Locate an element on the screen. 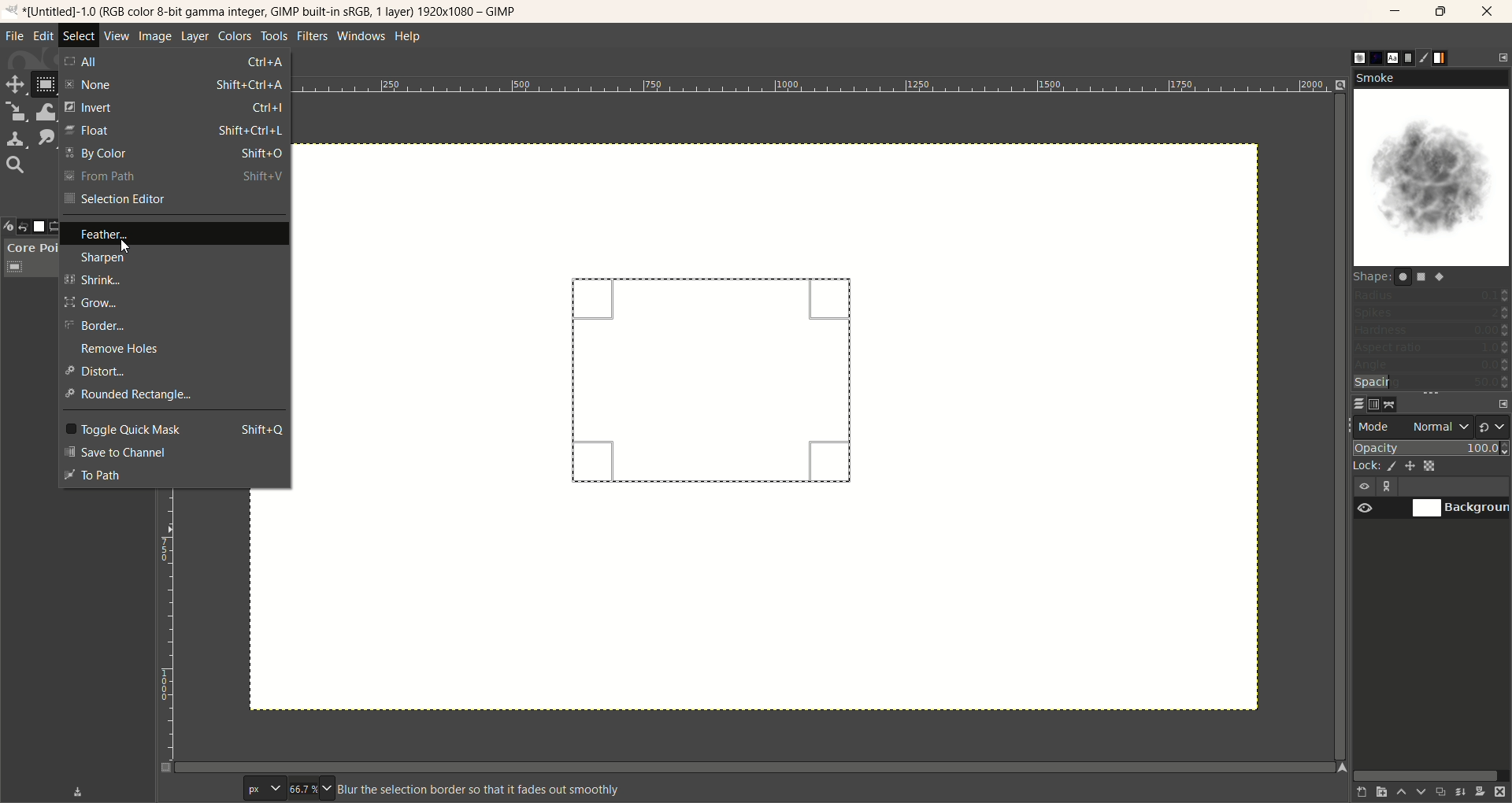 The width and height of the screenshot is (1512, 803). save device status is located at coordinates (81, 790).